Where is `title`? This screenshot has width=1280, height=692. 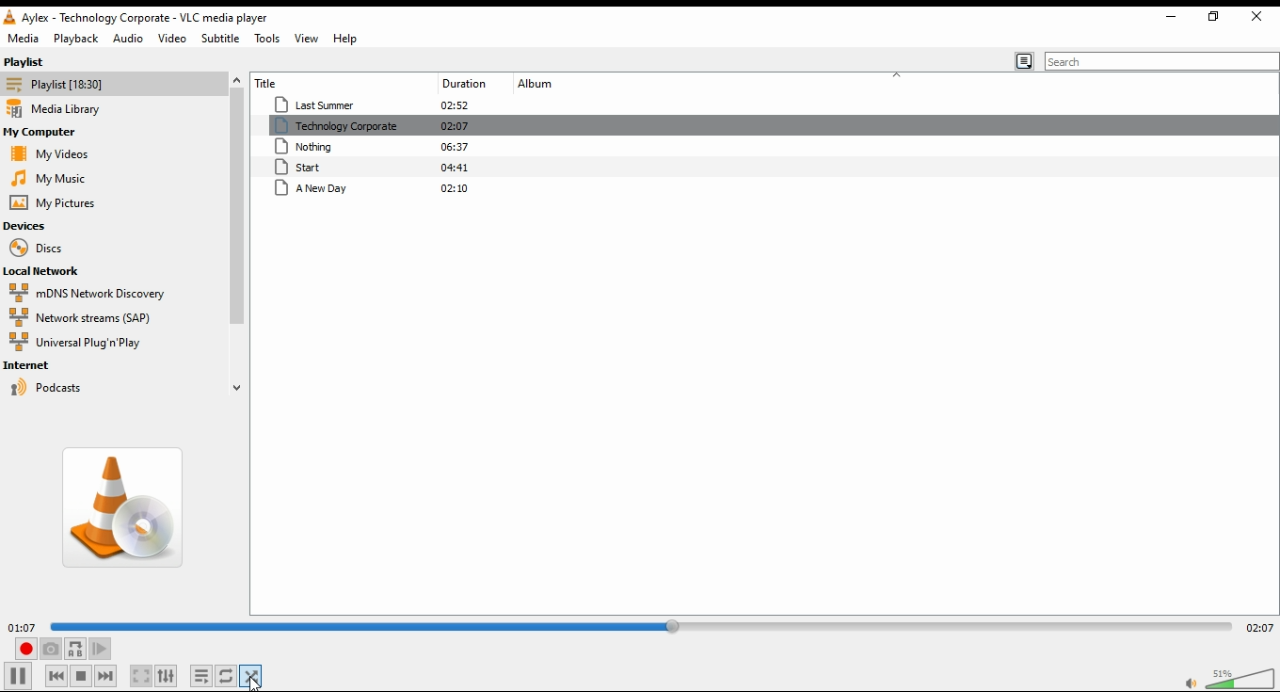
title is located at coordinates (299, 83).